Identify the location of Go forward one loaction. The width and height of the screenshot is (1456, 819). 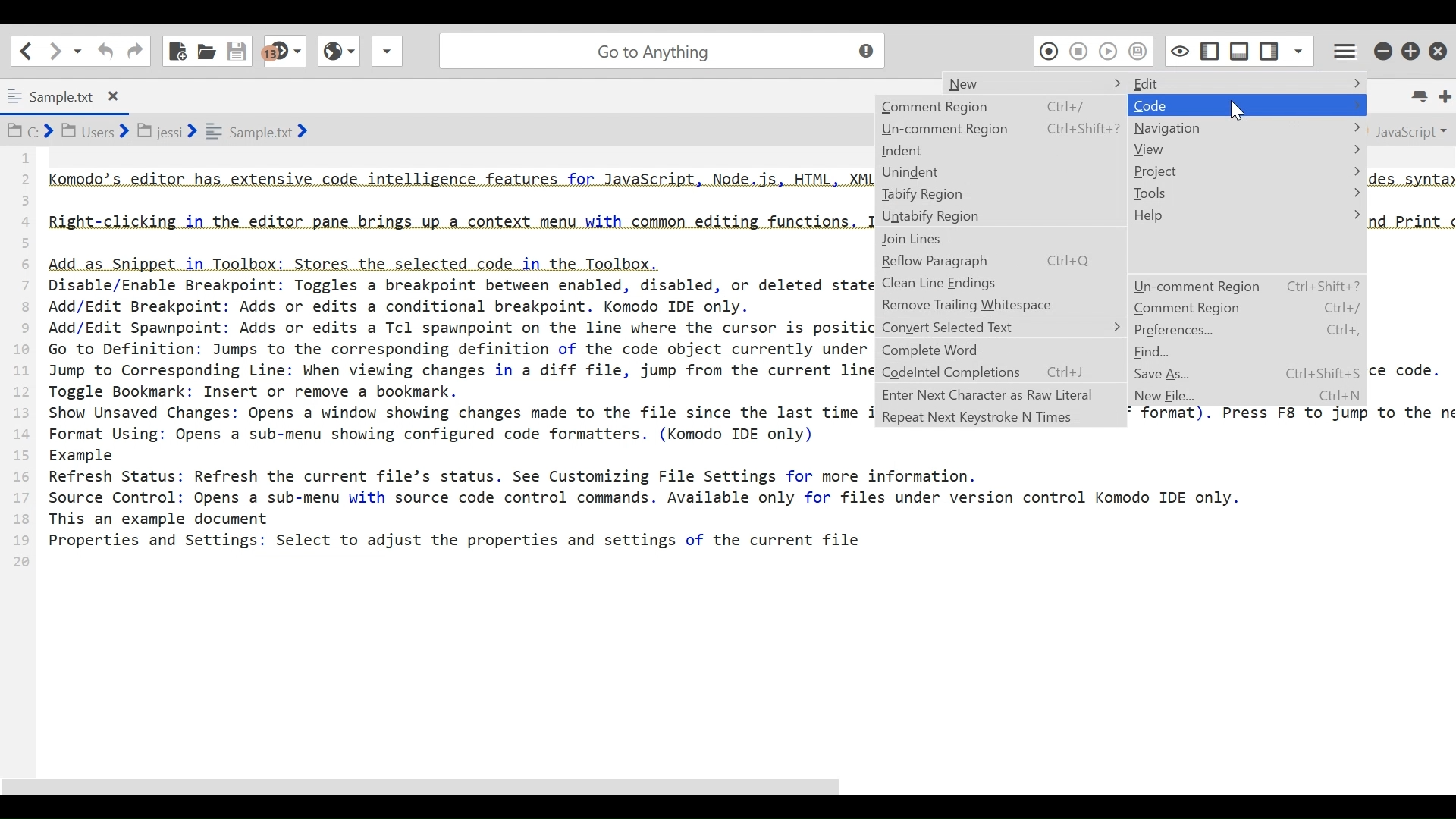
(54, 51).